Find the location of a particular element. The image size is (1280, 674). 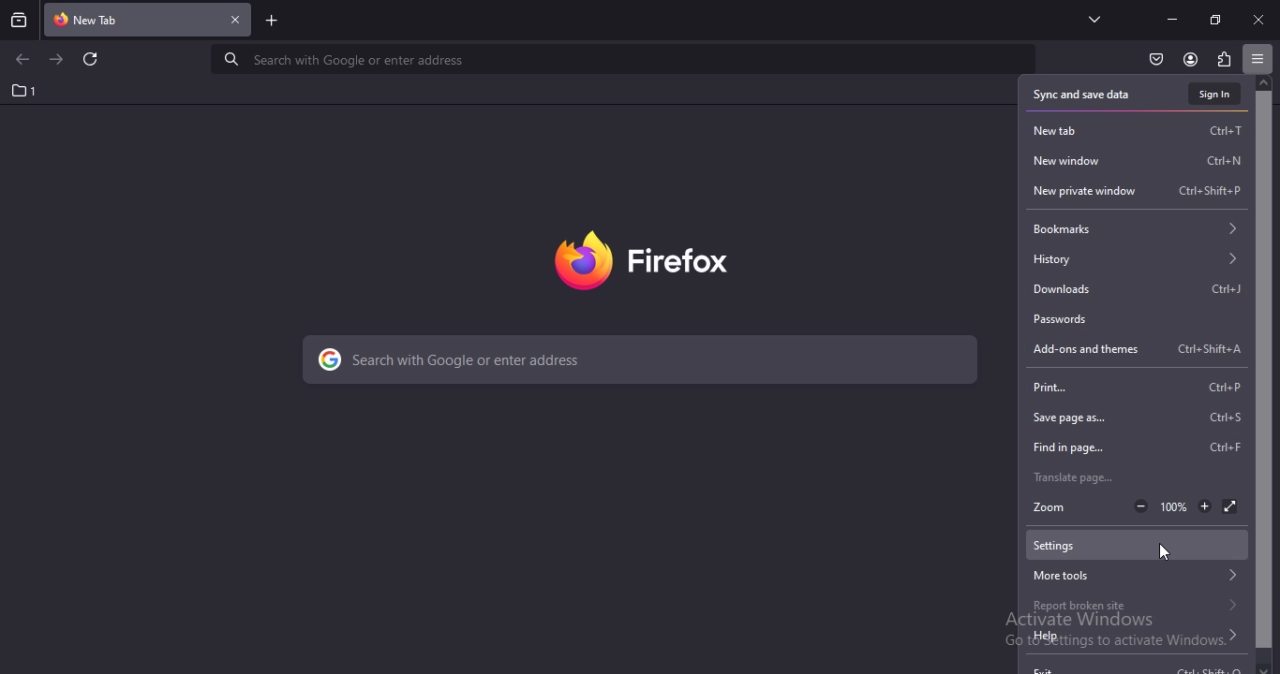

list all tabs is located at coordinates (1095, 18).